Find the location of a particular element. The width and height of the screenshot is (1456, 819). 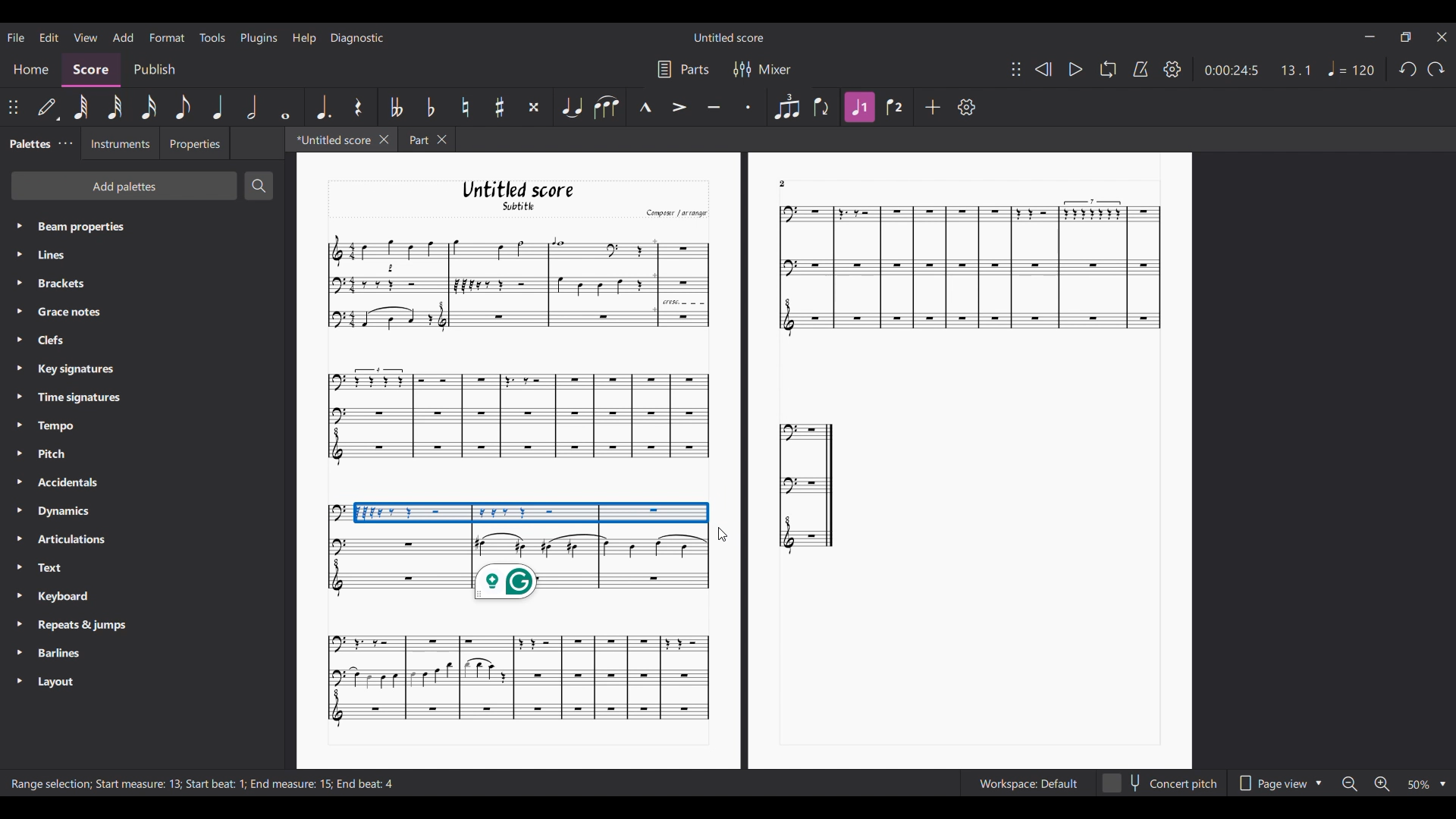

Search is located at coordinates (259, 186).